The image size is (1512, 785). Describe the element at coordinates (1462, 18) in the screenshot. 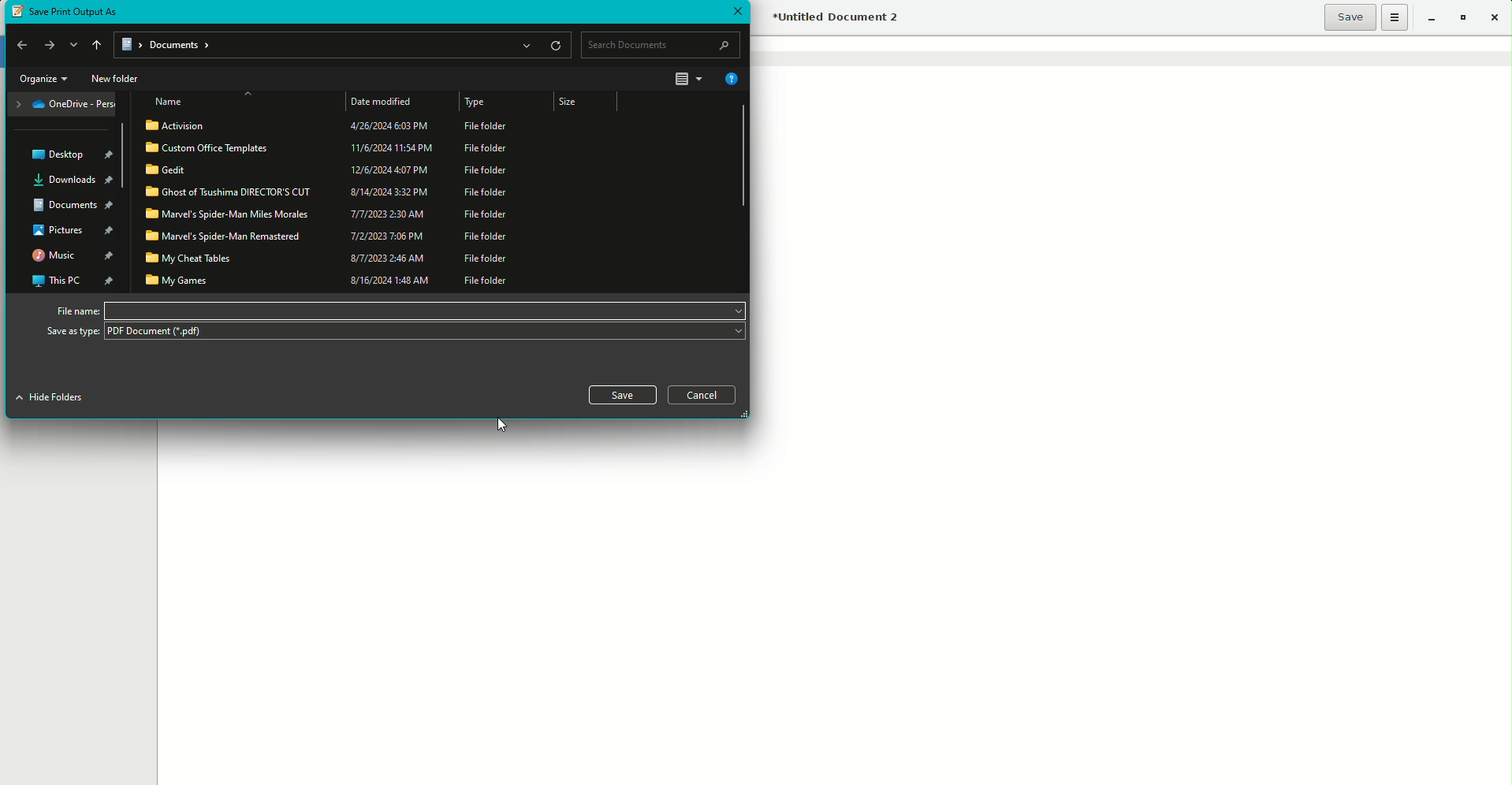

I see `Restore` at that location.